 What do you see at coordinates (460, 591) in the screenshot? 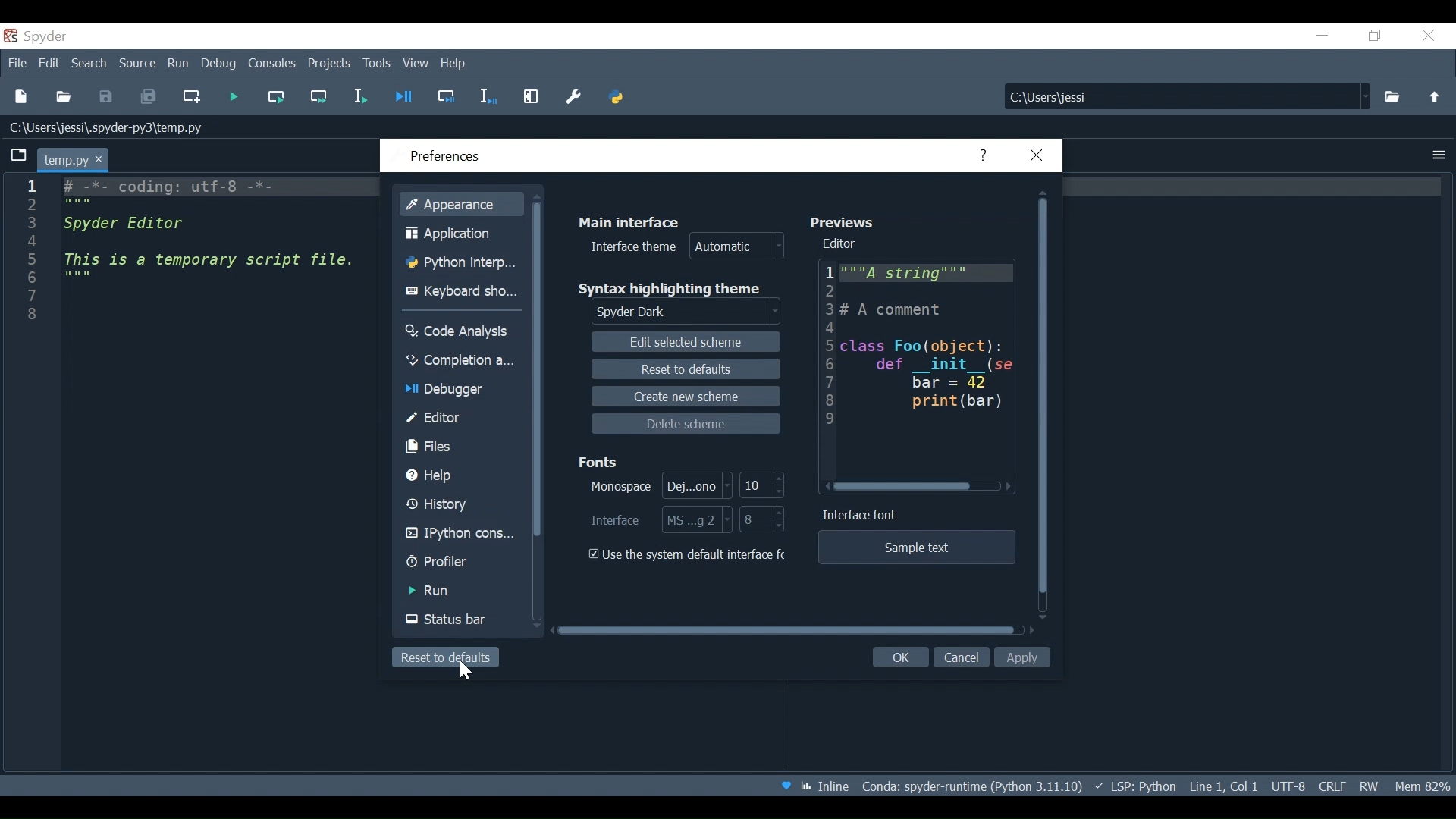
I see `Run` at bounding box center [460, 591].